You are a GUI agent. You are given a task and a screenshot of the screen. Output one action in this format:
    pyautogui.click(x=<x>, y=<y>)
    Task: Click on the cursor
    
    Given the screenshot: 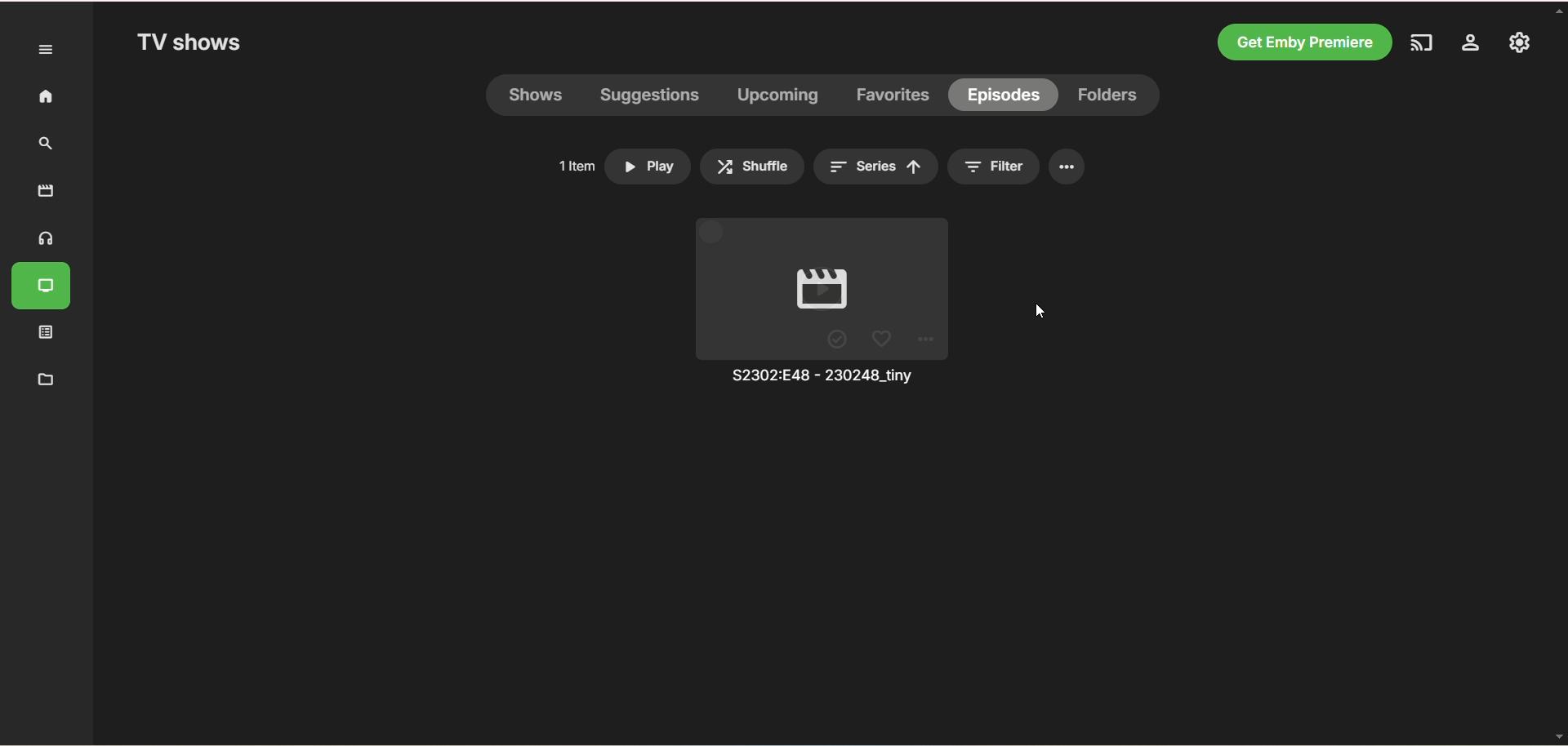 What is the action you would take?
    pyautogui.click(x=1036, y=314)
    